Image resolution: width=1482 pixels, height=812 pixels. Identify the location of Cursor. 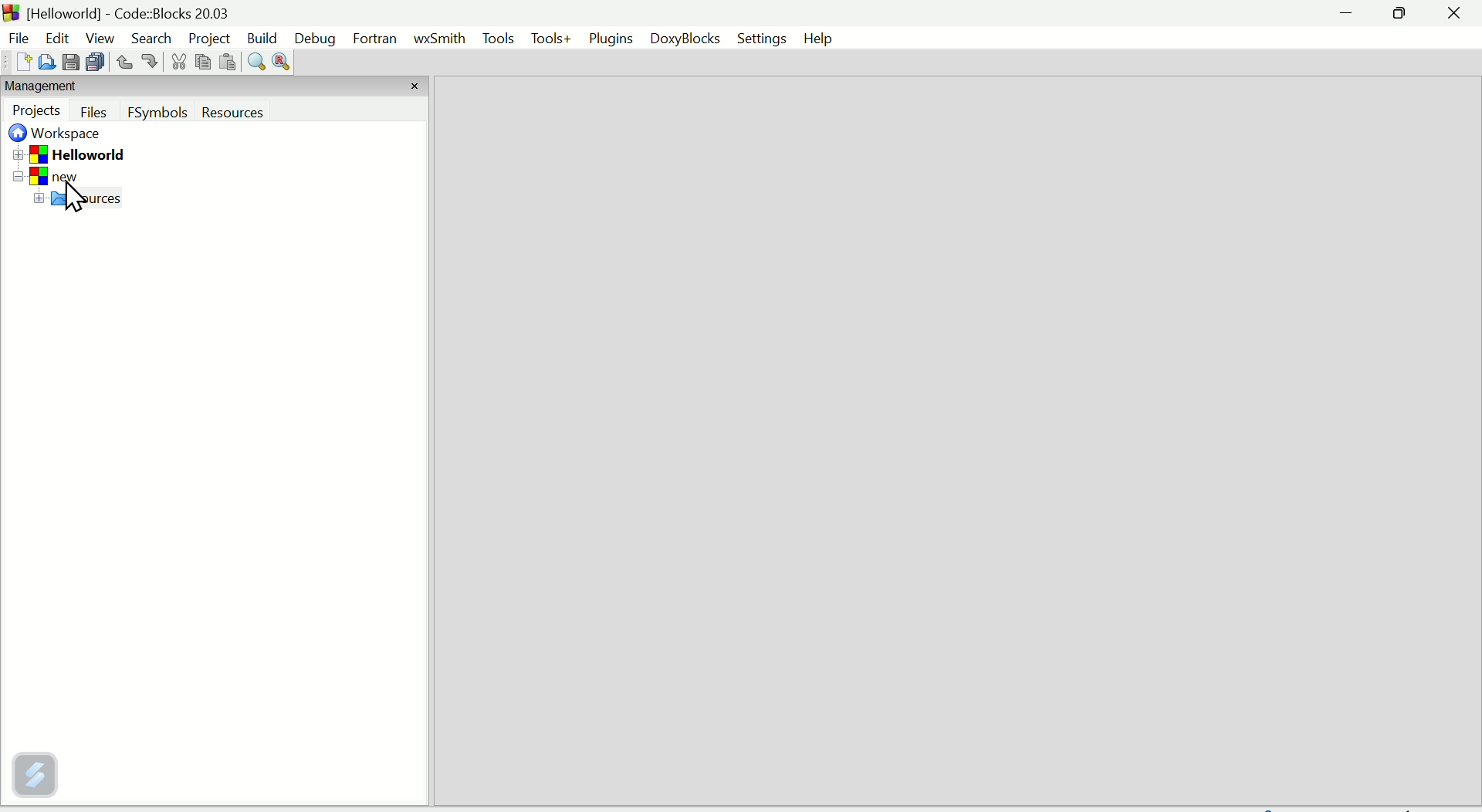
(72, 197).